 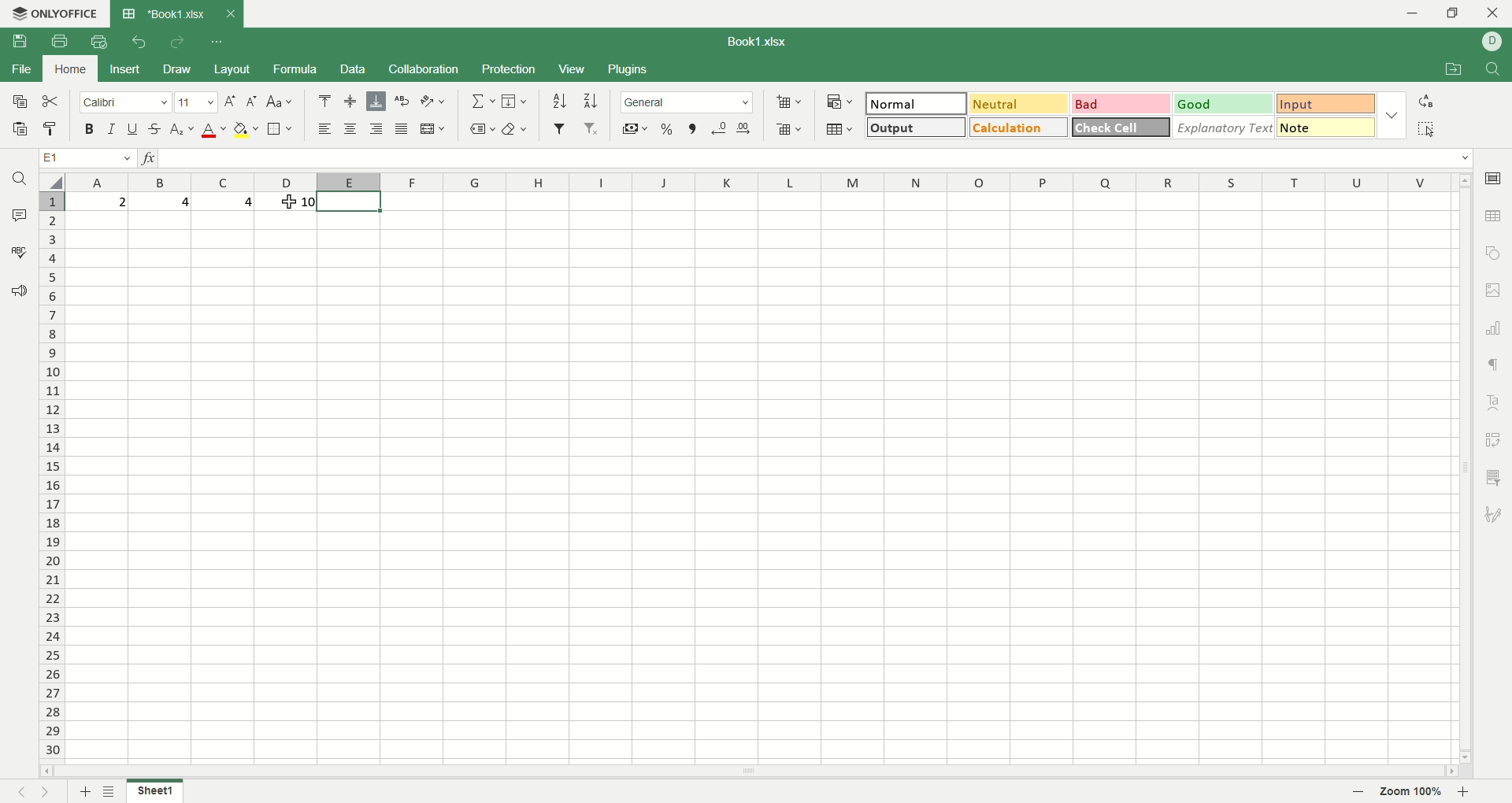 What do you see at coordinates (246, 130) in the screenshot?
I see `fill color` at bounding box center [246, 130].